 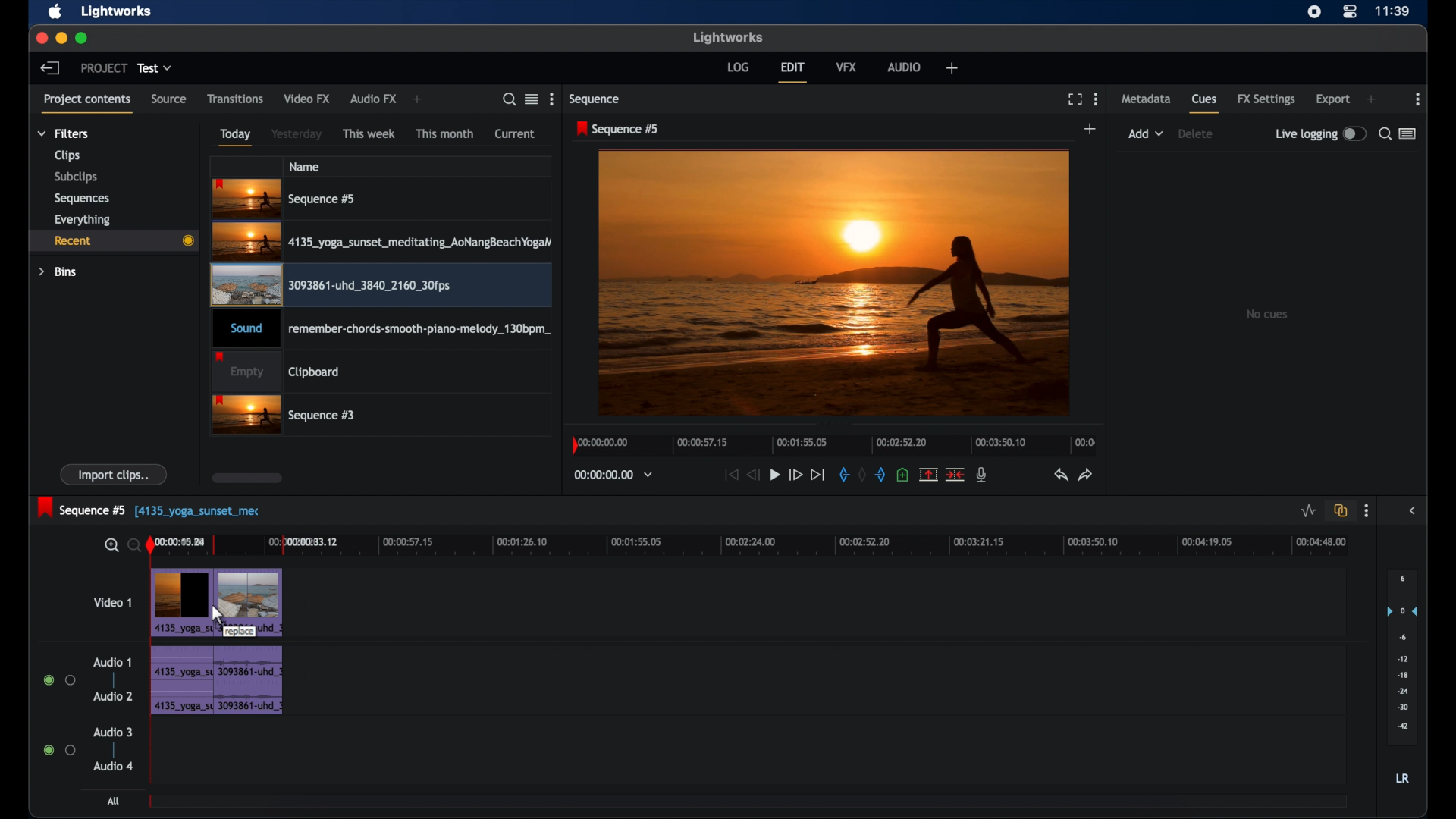 I want to click on test, so click(x=155, y=67).